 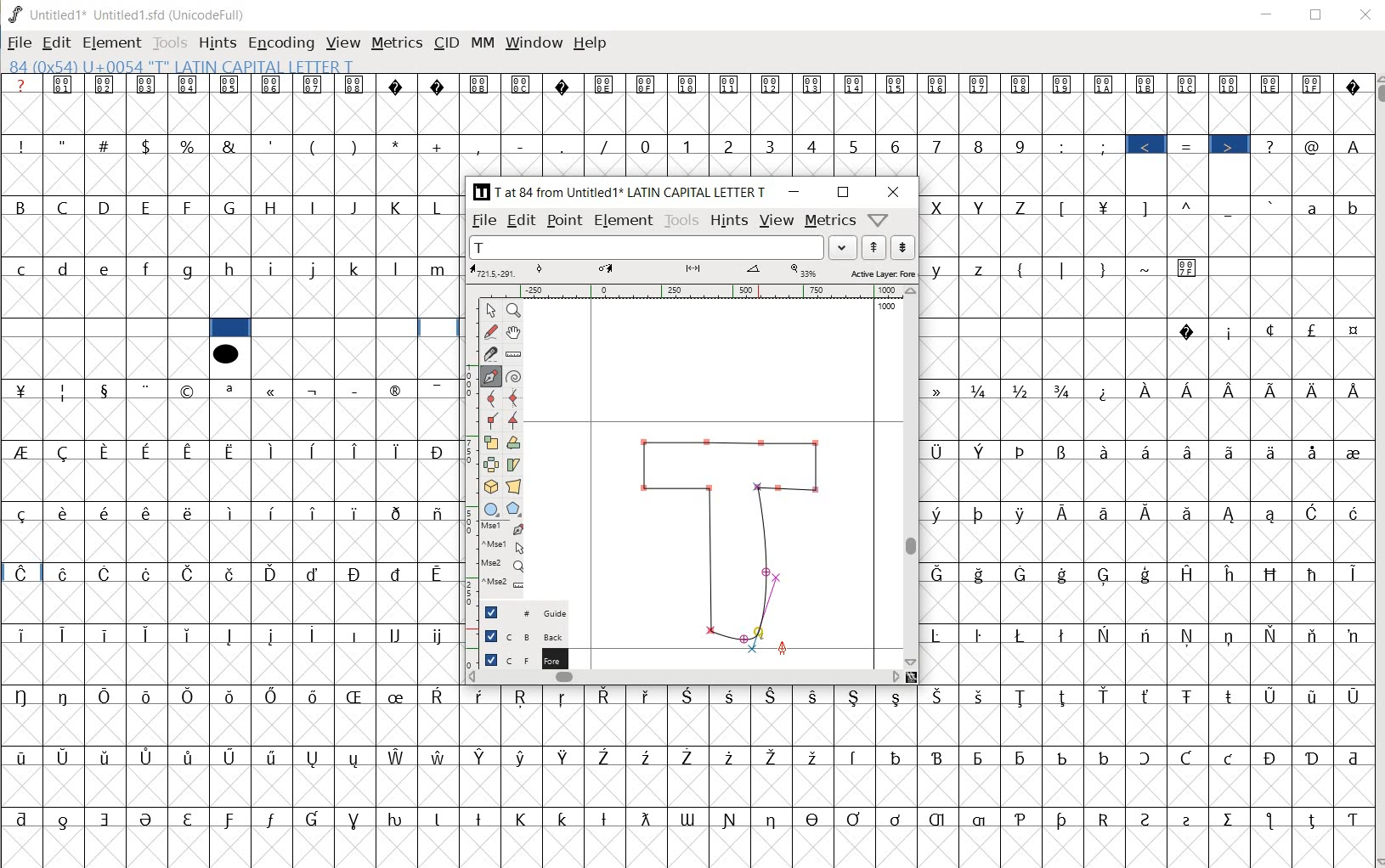 What do you see at coordinates (524, 819) in the screenshot?
I see `Symbol` at bounding box center [524, 819].